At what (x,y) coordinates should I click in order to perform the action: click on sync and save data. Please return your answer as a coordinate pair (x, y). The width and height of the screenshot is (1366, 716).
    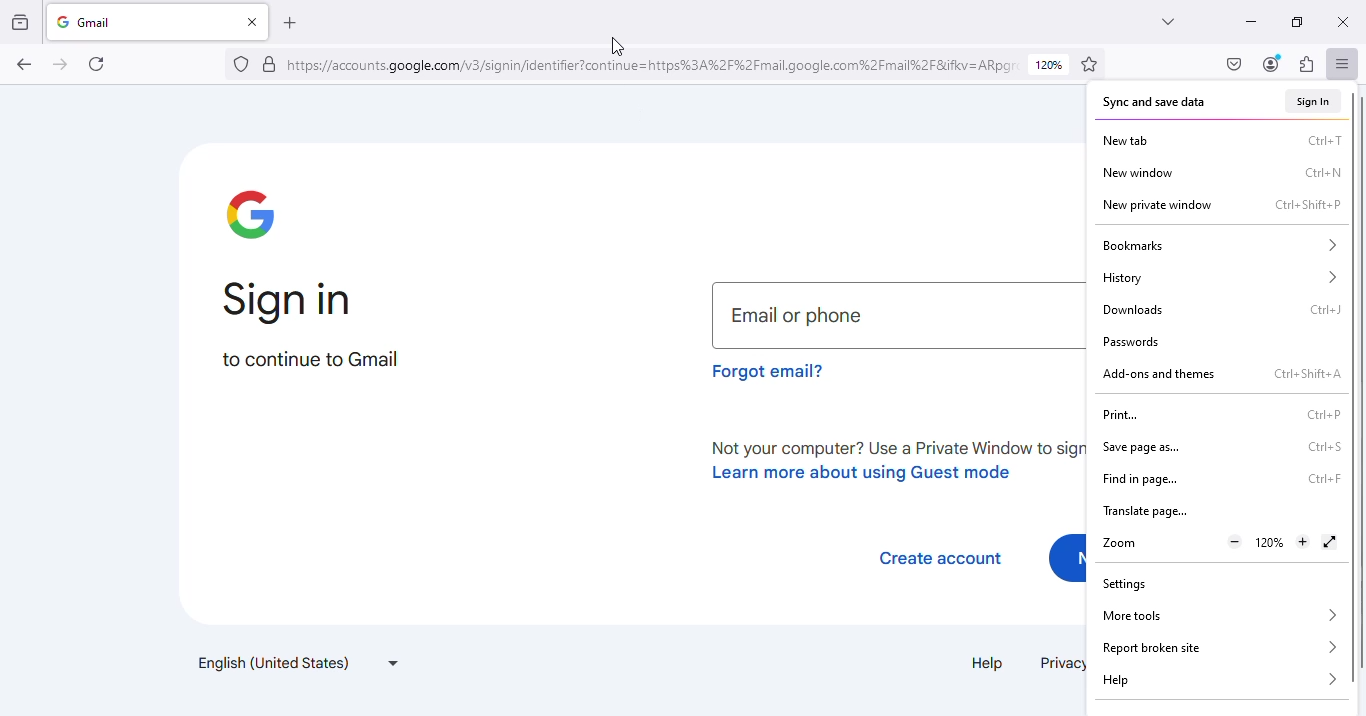
    Looking at the image, I should click on (1153, 102).